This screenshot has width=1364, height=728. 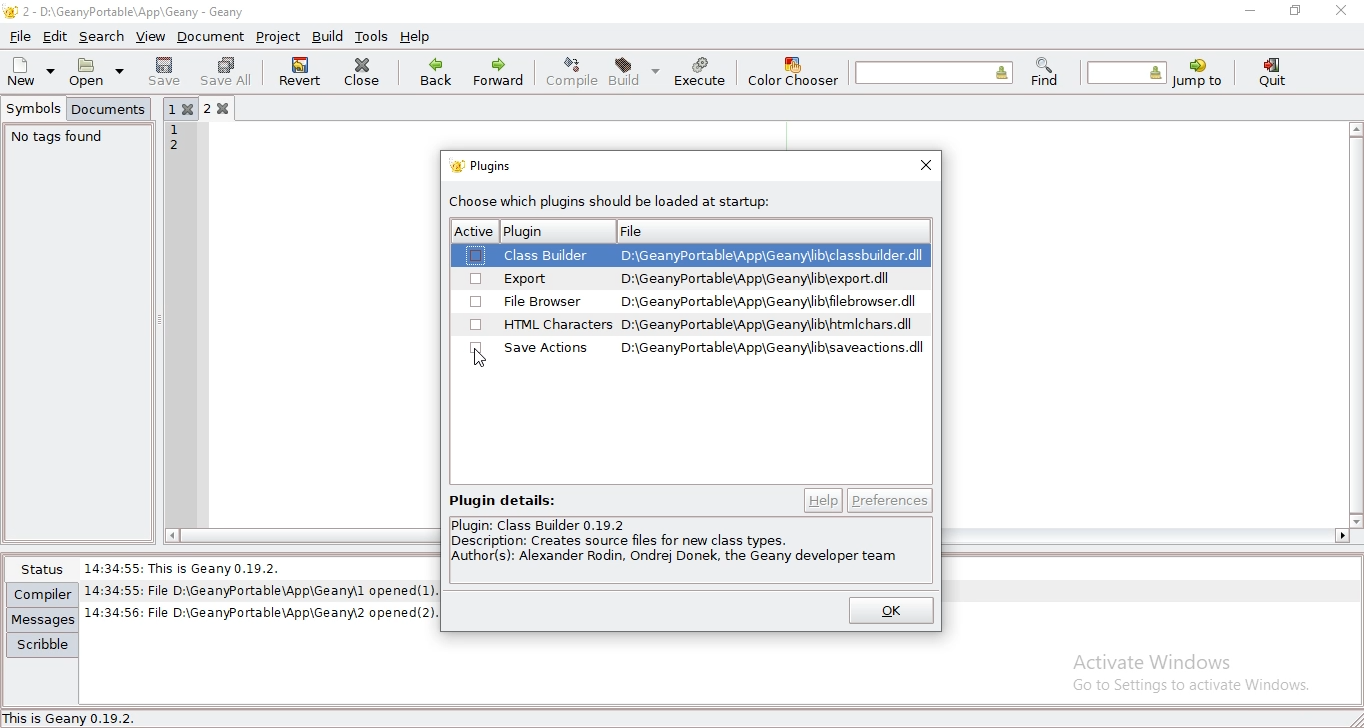 What do you see at coordinates (479, 361) in the screenshot?
I see `cursor` at bounding box center [479, 361].